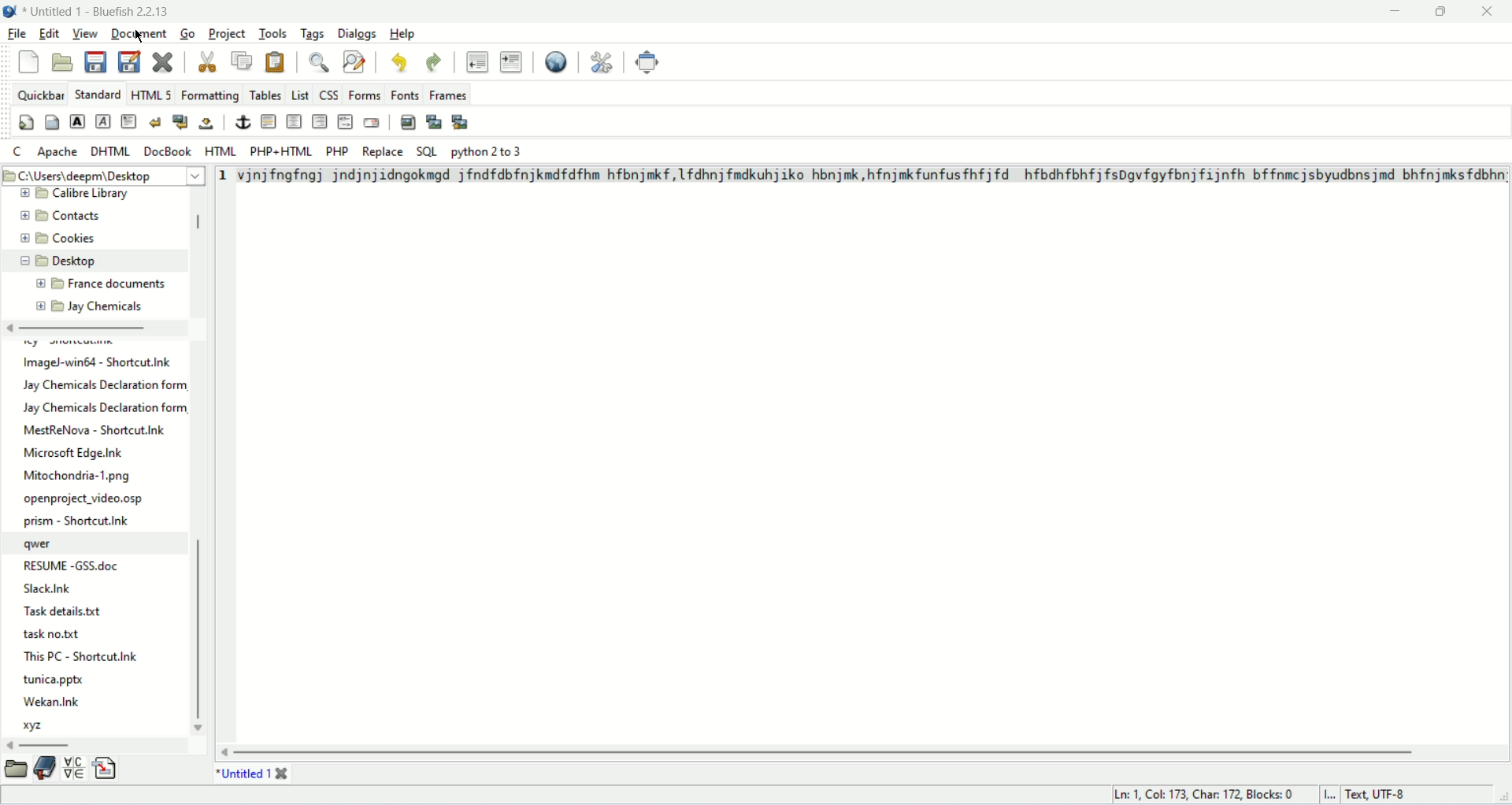 Image resolution: width=1512 pixels, height=805 pixels. Describe the element at coordinates (74, 453) in the screenshot. I see `Microsoft Edge.Ink` at that location.